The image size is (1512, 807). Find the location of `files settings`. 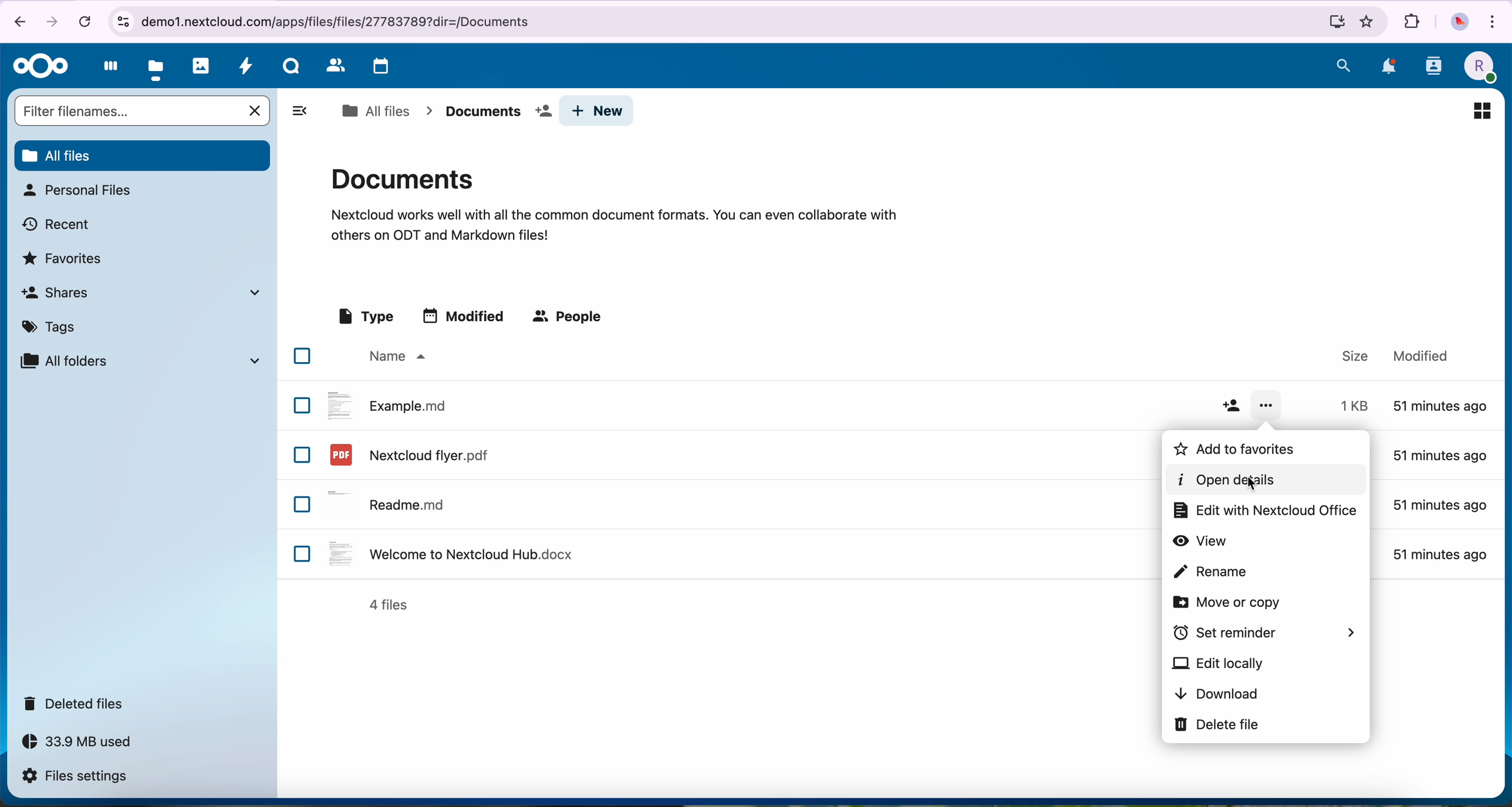

files settings is located at coordinates (77, 777).